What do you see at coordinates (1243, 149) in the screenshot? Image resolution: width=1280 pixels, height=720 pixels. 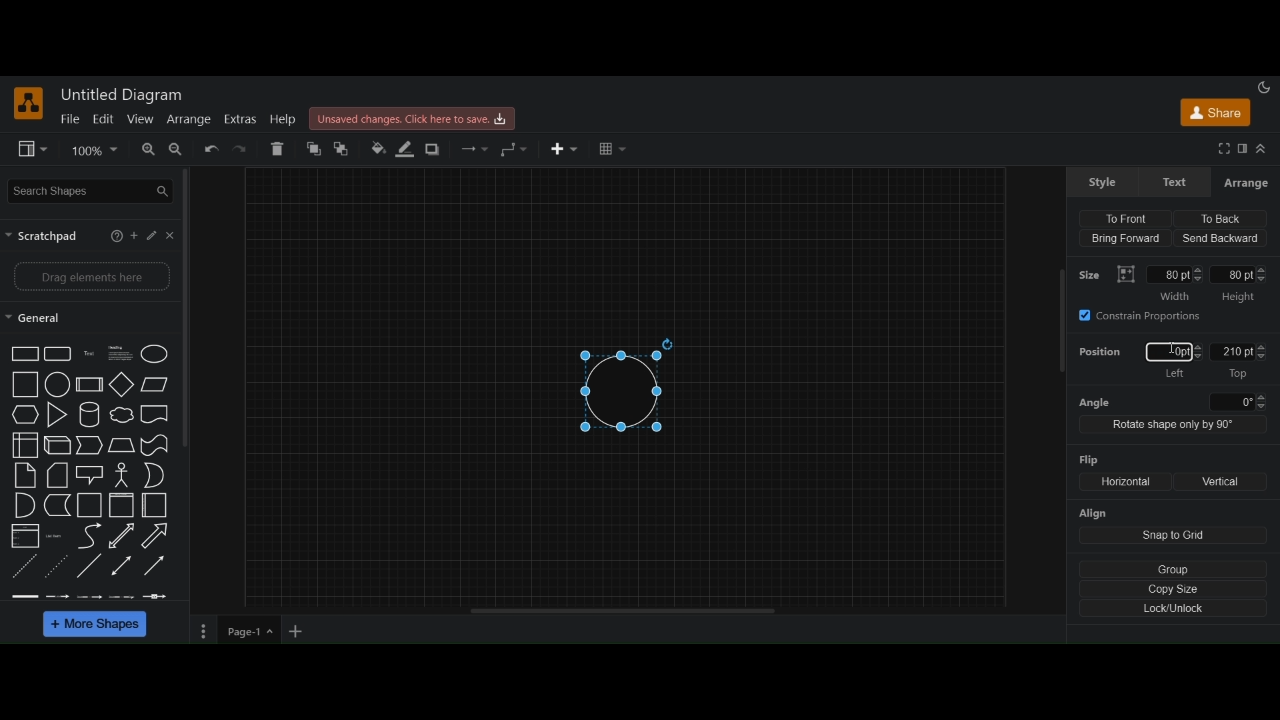 I see `format` at bounding box center [1243, 149].